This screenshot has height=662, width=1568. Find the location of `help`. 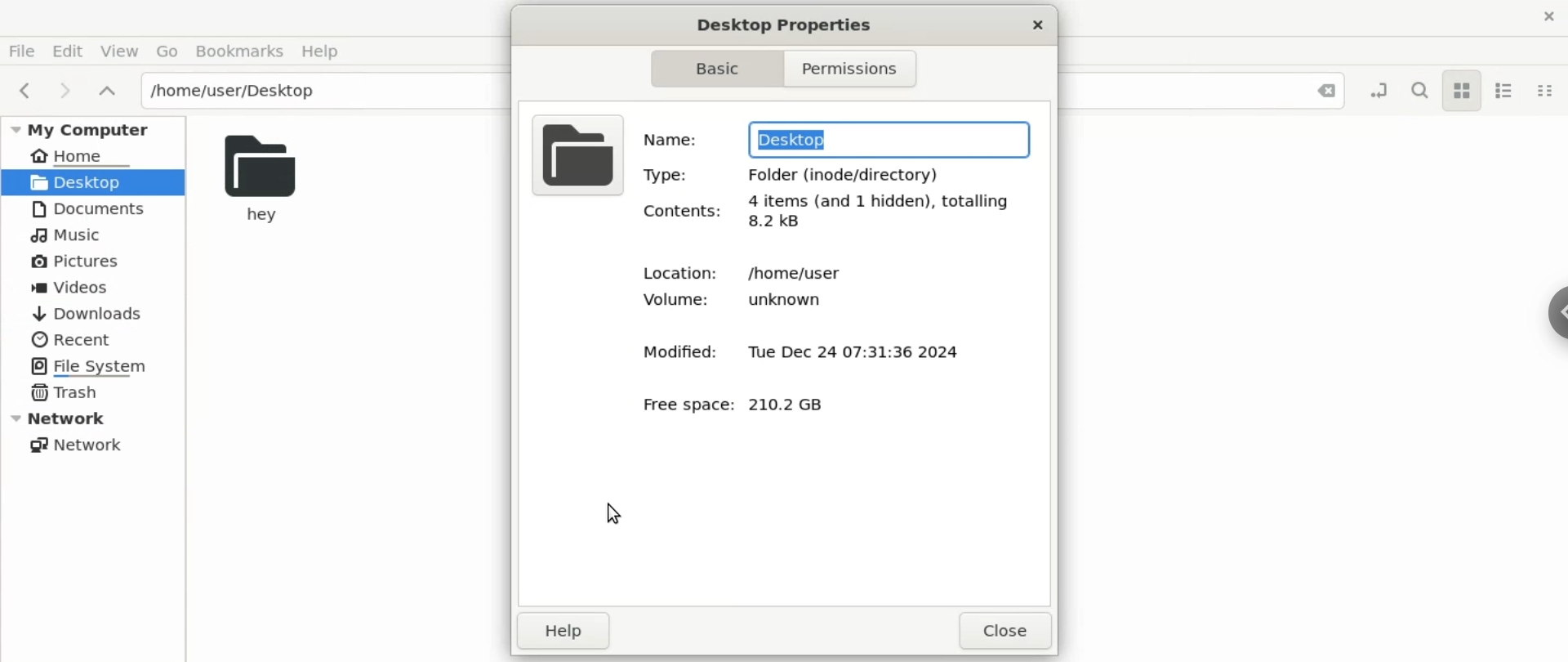

help is located at coordinates (330, 51).